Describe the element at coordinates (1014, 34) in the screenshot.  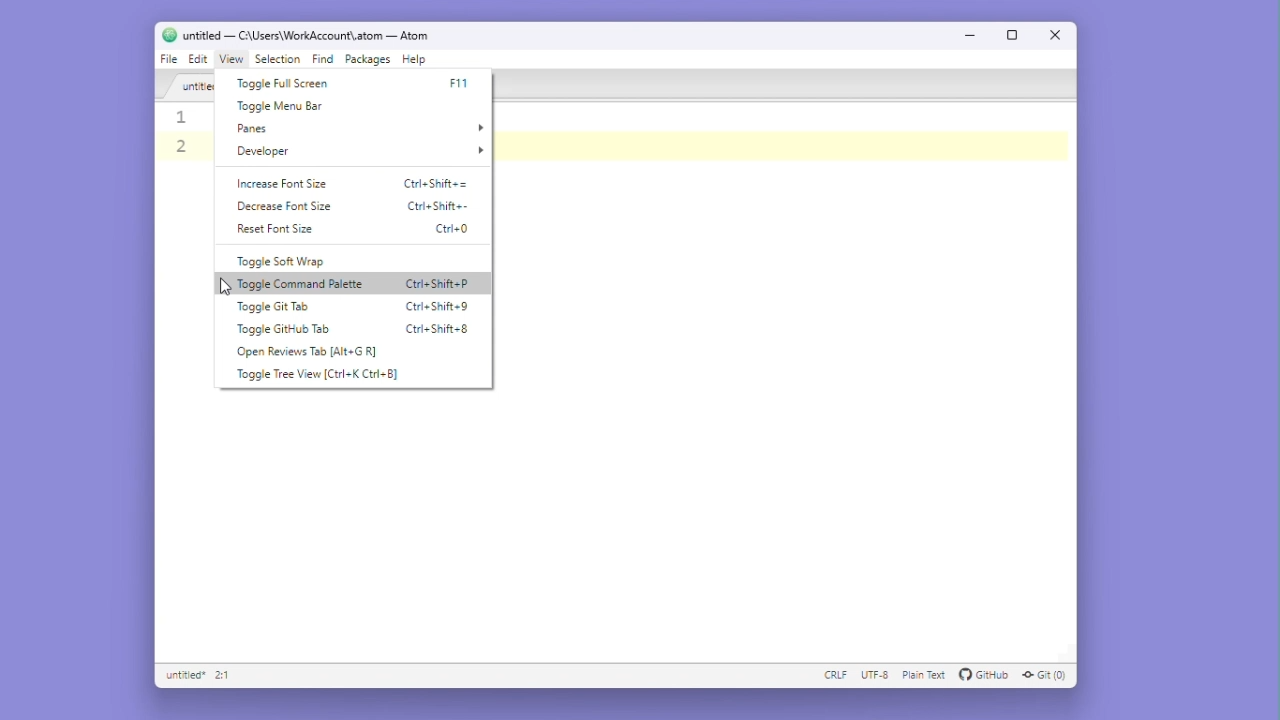
I see `Maximize` at that location.